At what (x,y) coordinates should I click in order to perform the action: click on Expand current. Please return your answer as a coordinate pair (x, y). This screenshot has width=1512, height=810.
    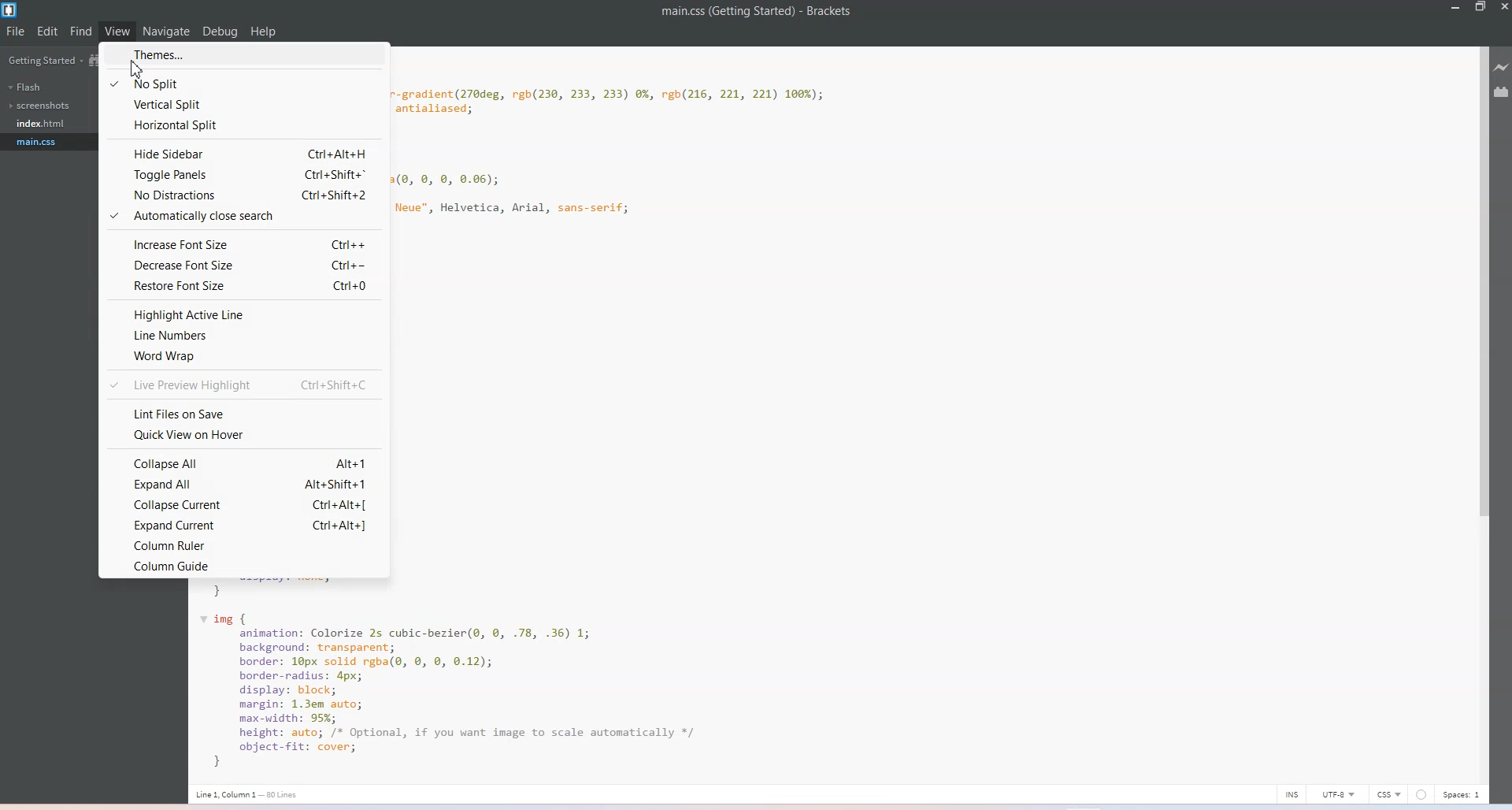
    Looking at the image, I should click on (244, 524).